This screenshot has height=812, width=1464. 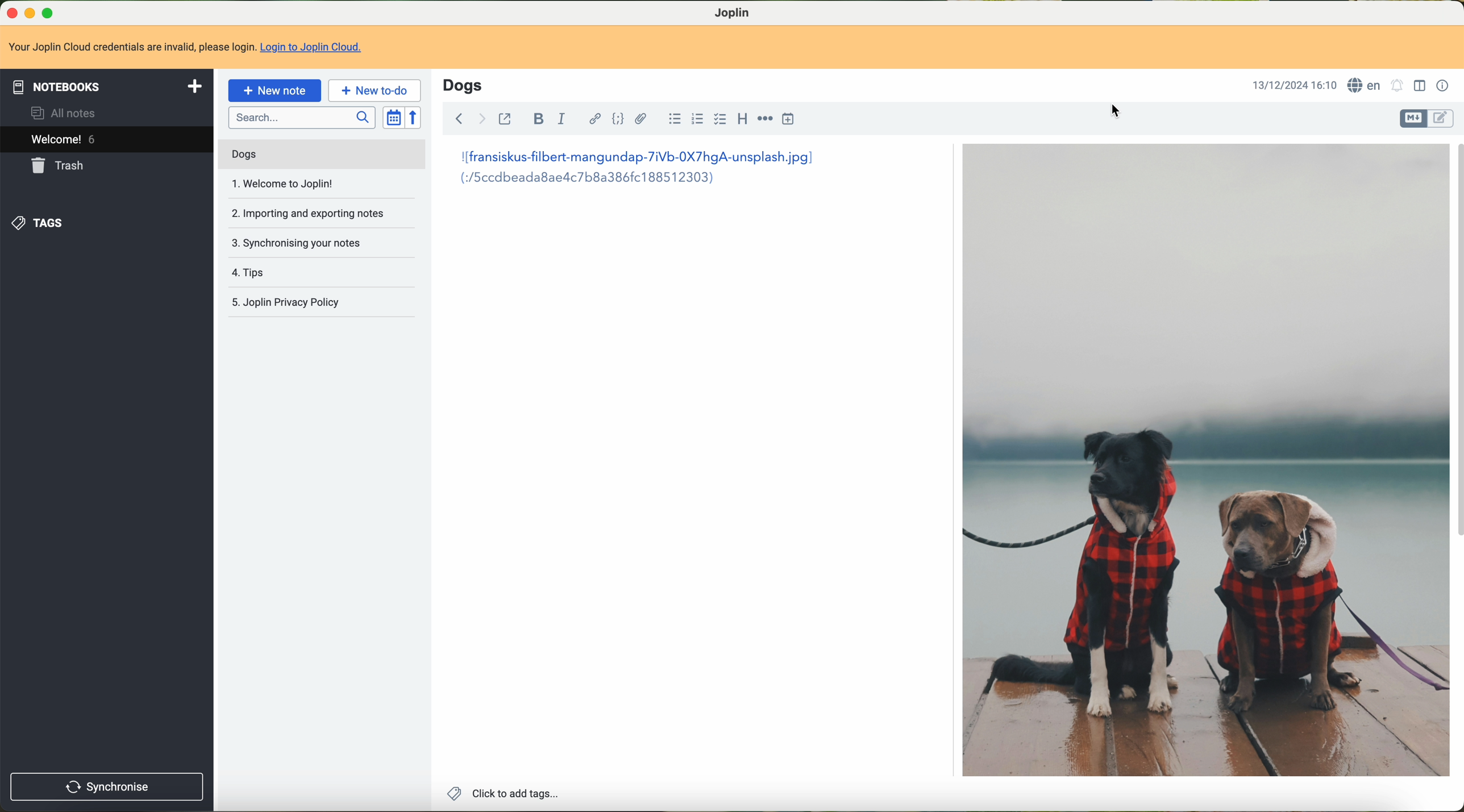 I want to click on new to-do, so click(x=375, y=91).